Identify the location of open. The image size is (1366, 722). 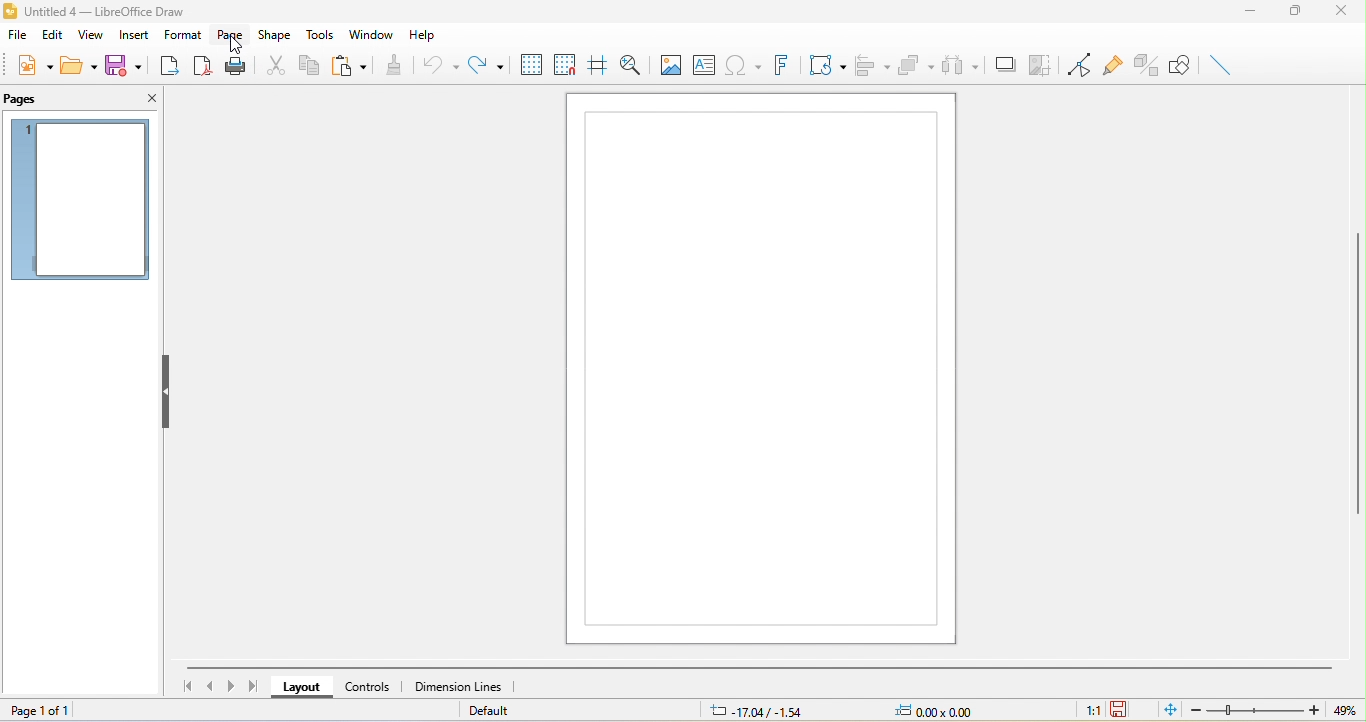
(82, 71).